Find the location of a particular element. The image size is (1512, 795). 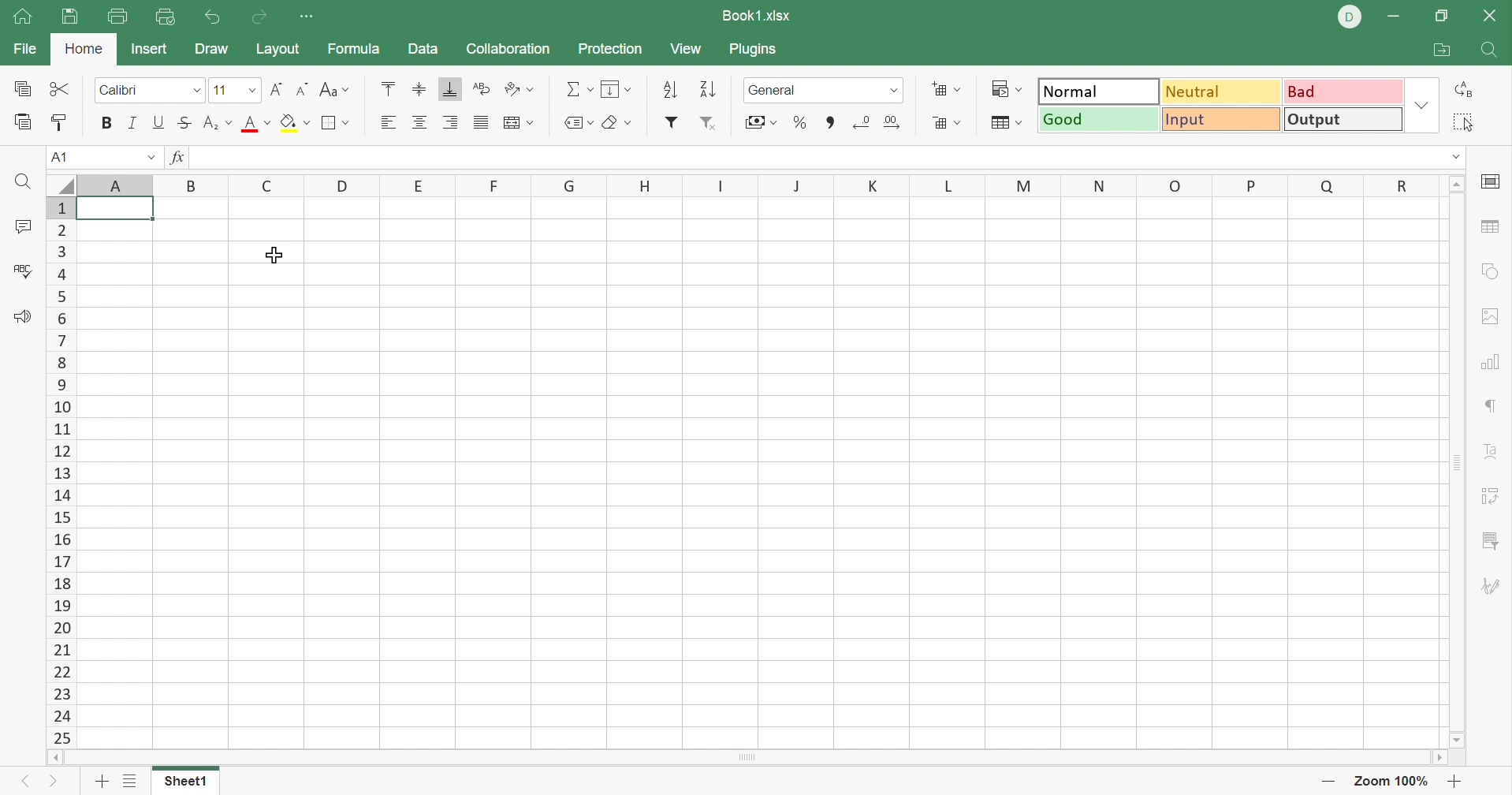

Align Bottom is located at coordinates (450, 88).